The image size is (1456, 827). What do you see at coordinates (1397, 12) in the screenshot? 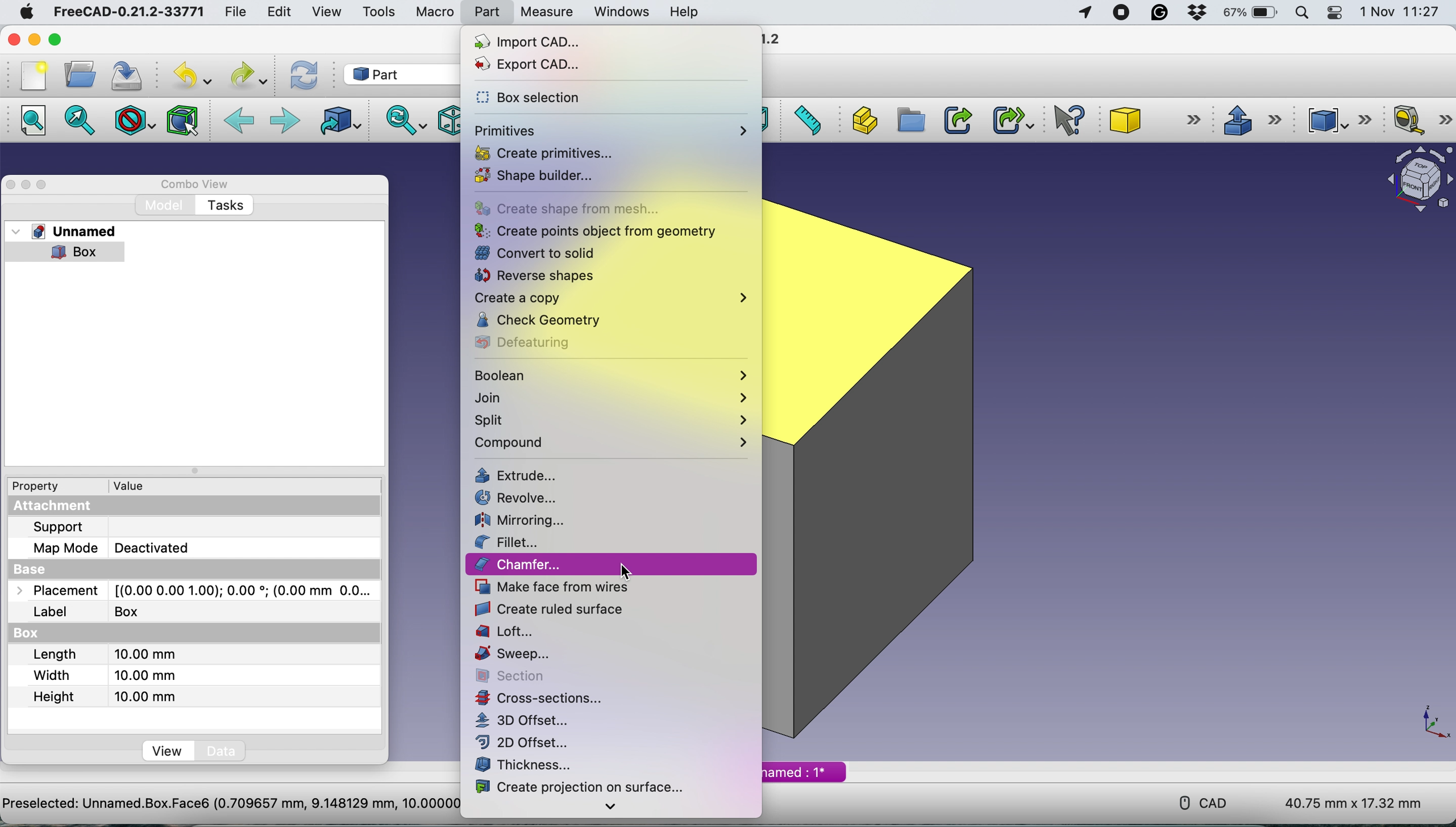
I see `date and time` at bounding box center [1397, 12].